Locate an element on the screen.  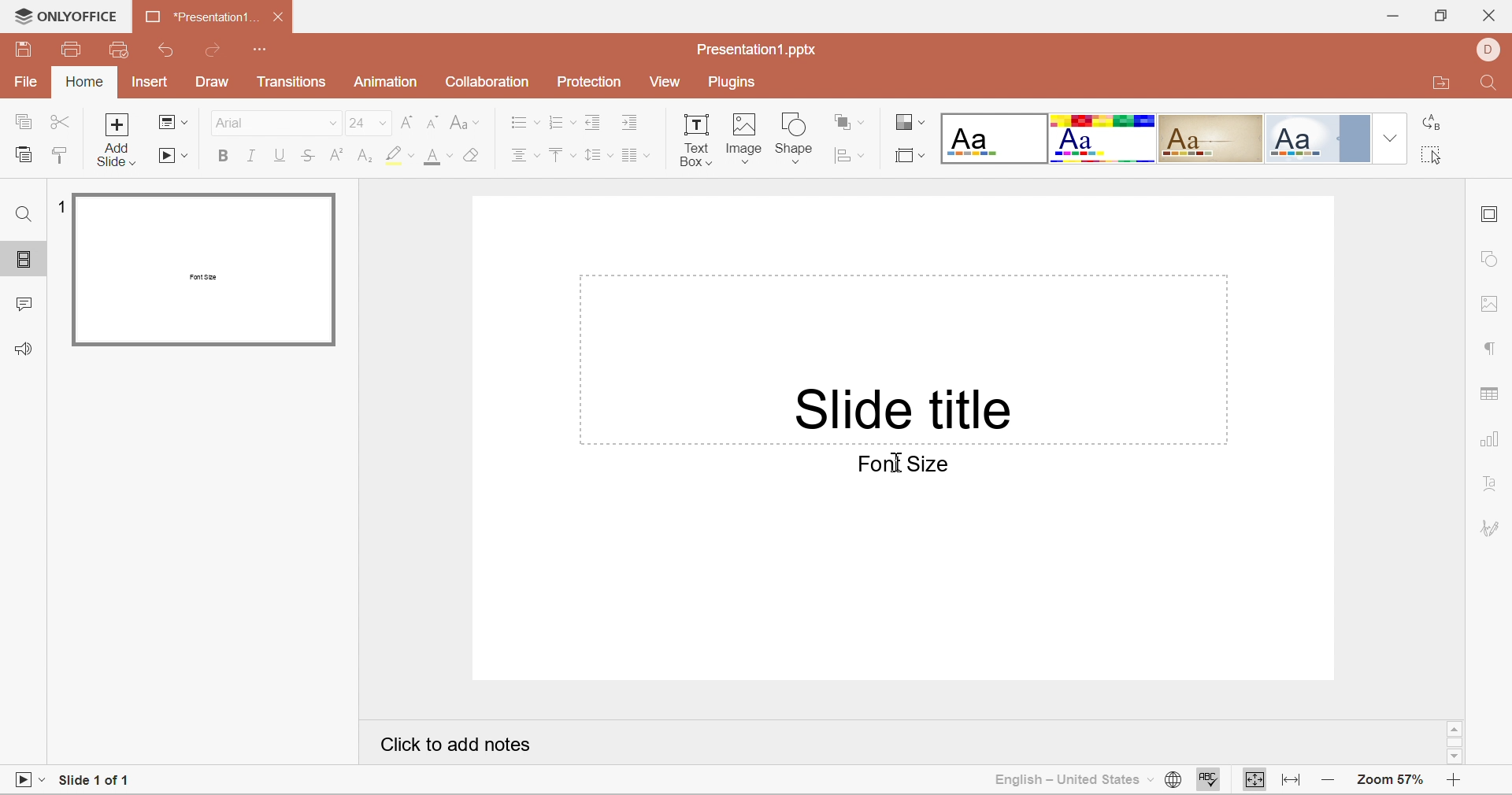
Zoom out is located at coordinates (1334, 782).